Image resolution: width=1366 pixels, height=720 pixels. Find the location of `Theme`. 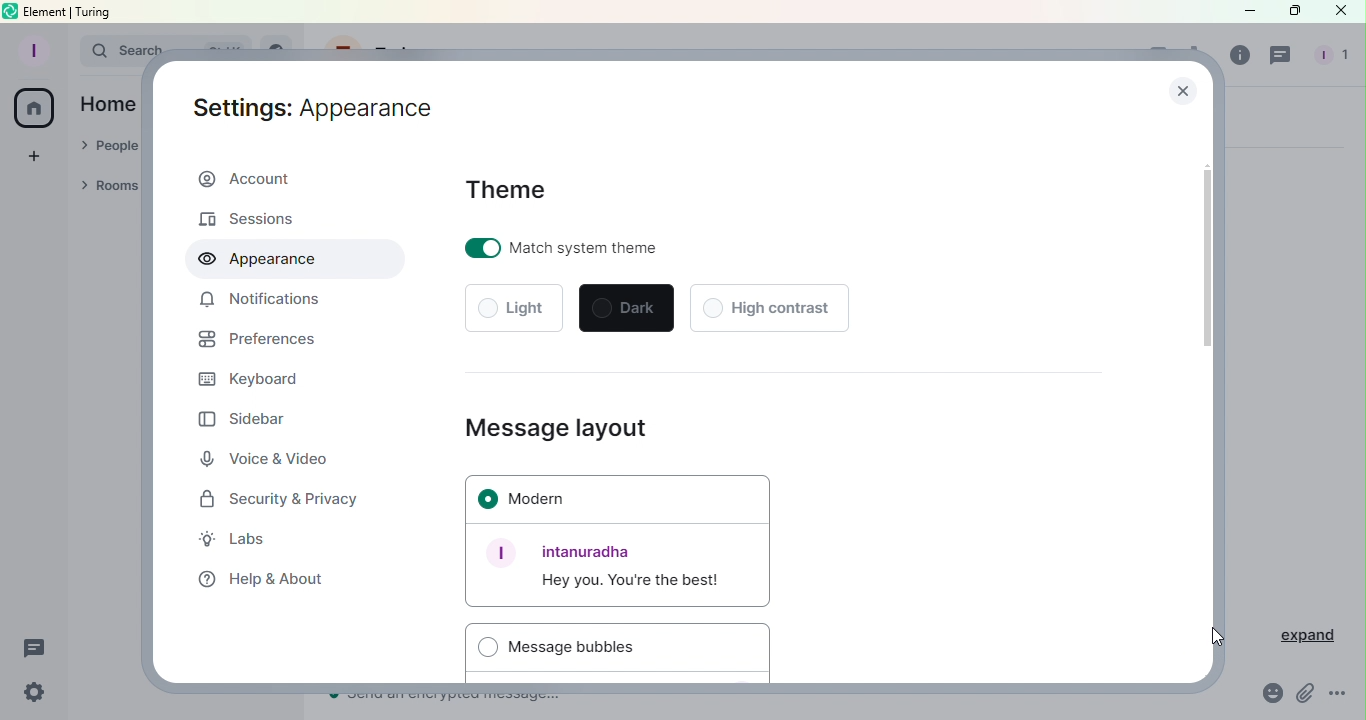

Theme is located at coordinates (508, 189).